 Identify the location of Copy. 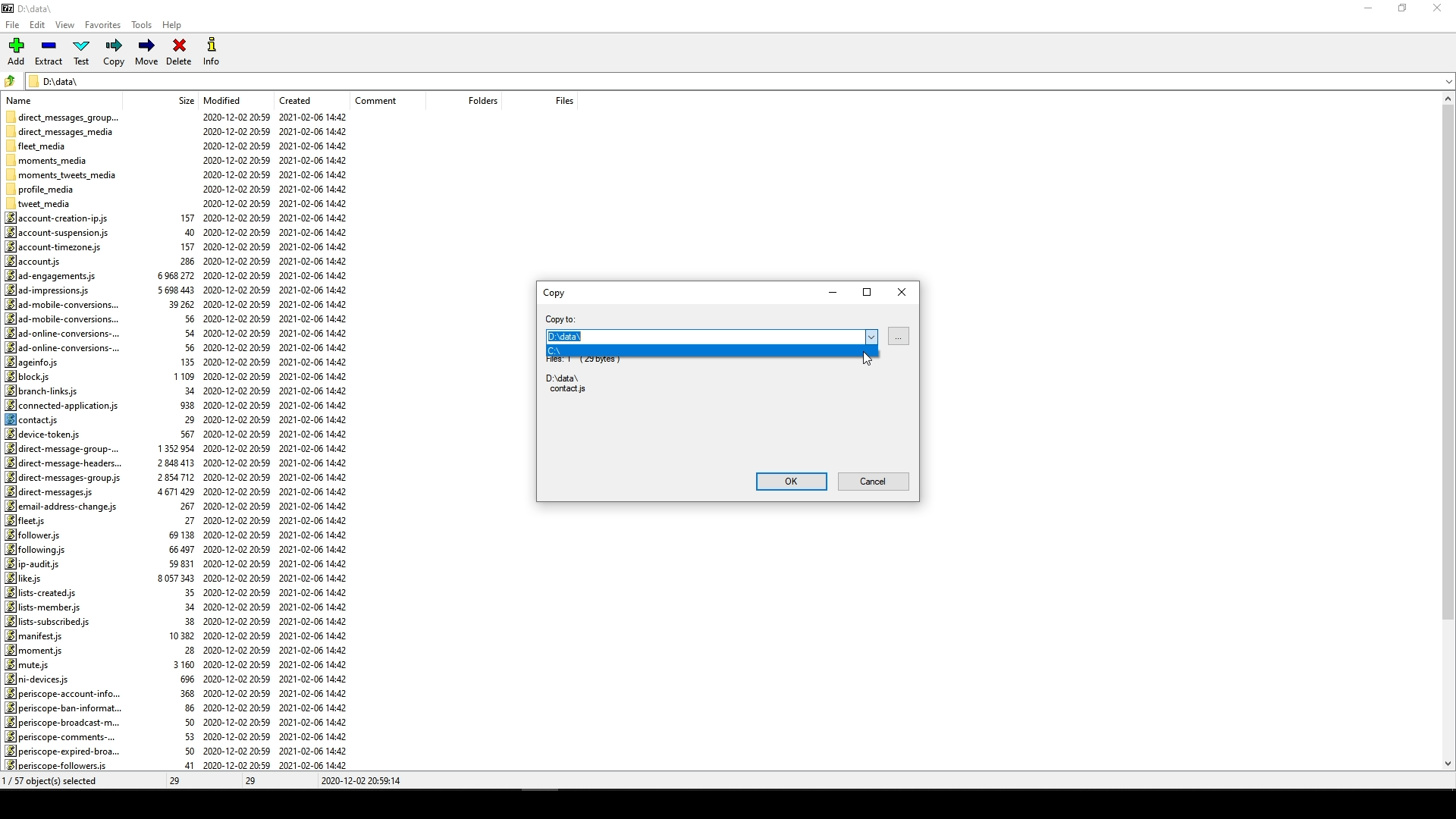
(115, 52).